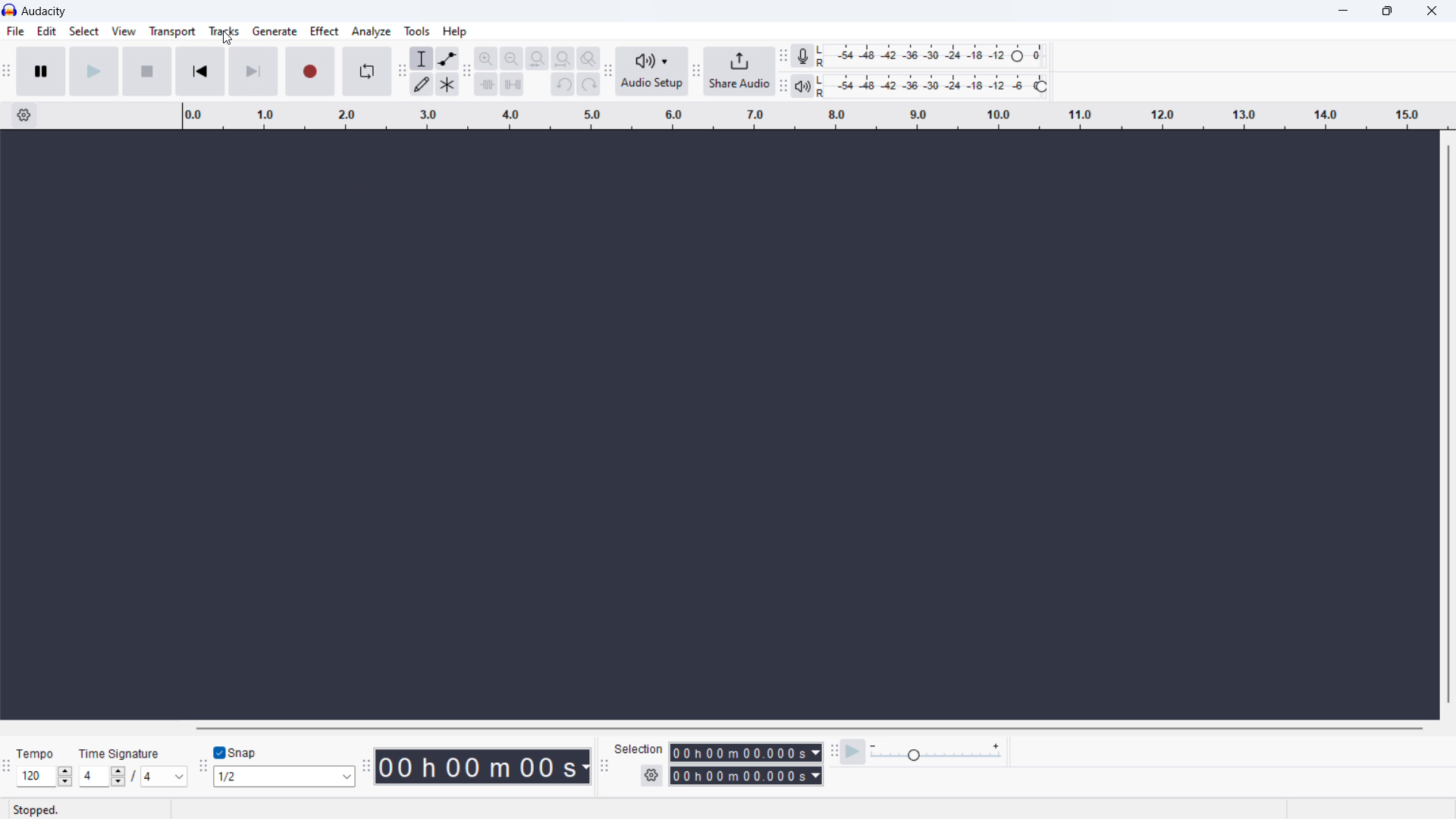  What do you see at coordinates (133, 777) in the screenshot?
I see `time signature` at bounding box center [133, 777].